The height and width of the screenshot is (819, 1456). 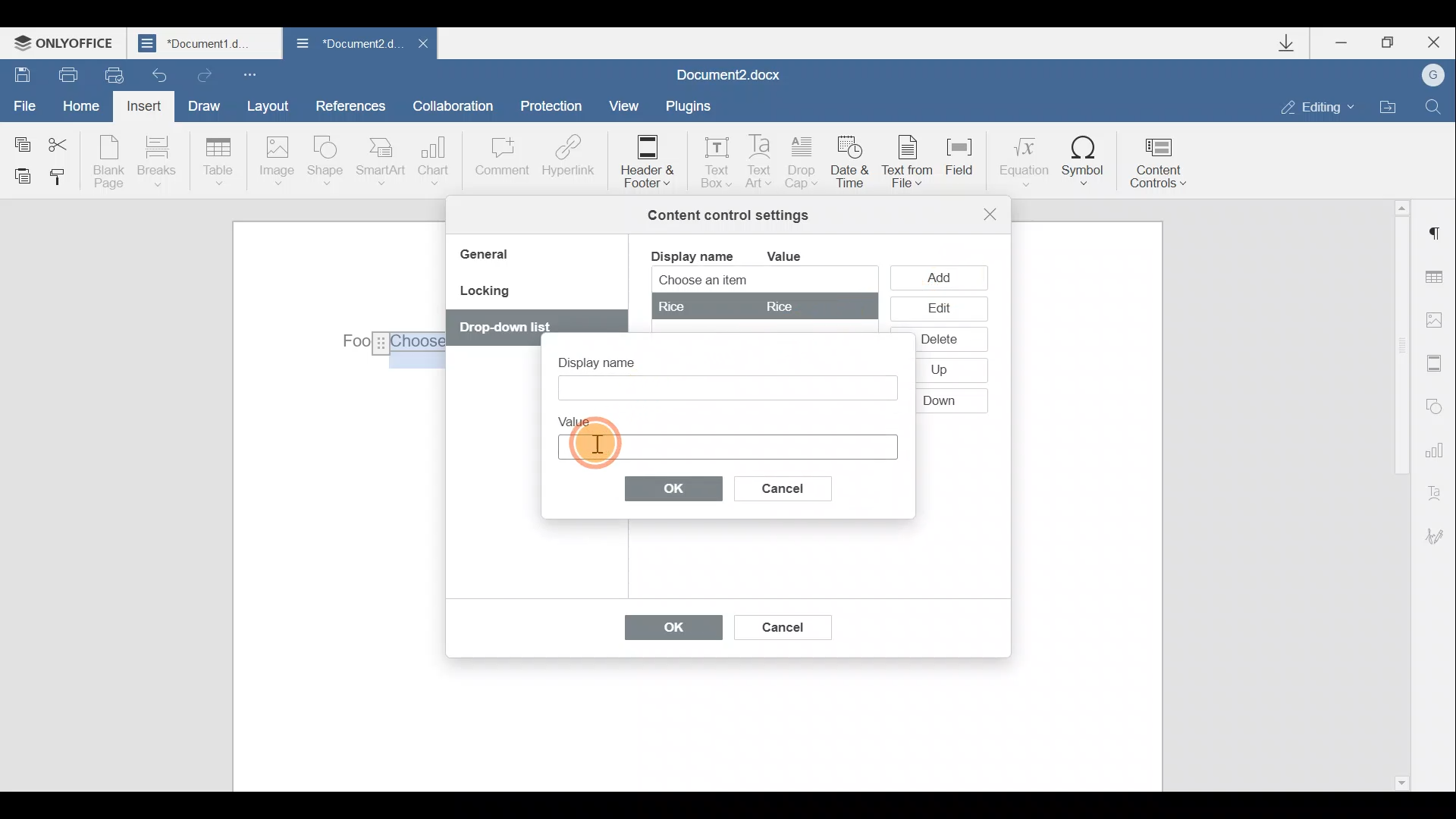 I want to click on Field, so click(x=966, y=166).